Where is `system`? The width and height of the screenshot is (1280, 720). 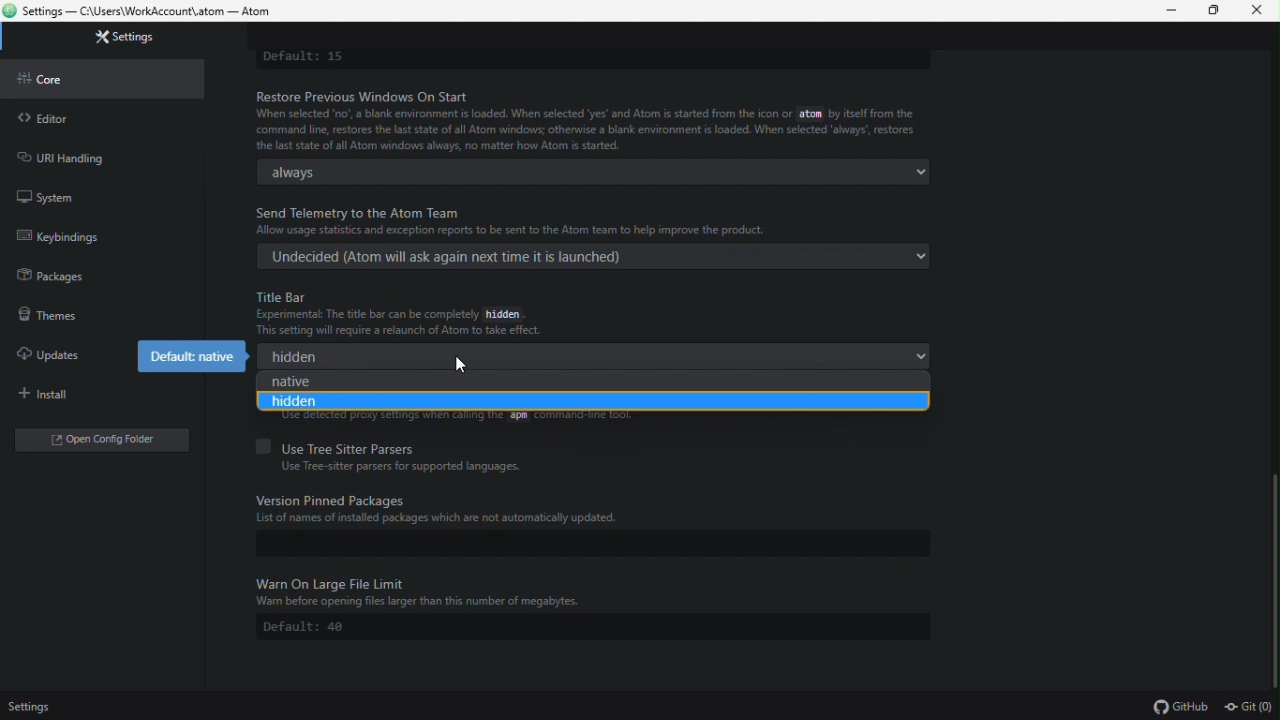
system is located at coordinates (98, 195).